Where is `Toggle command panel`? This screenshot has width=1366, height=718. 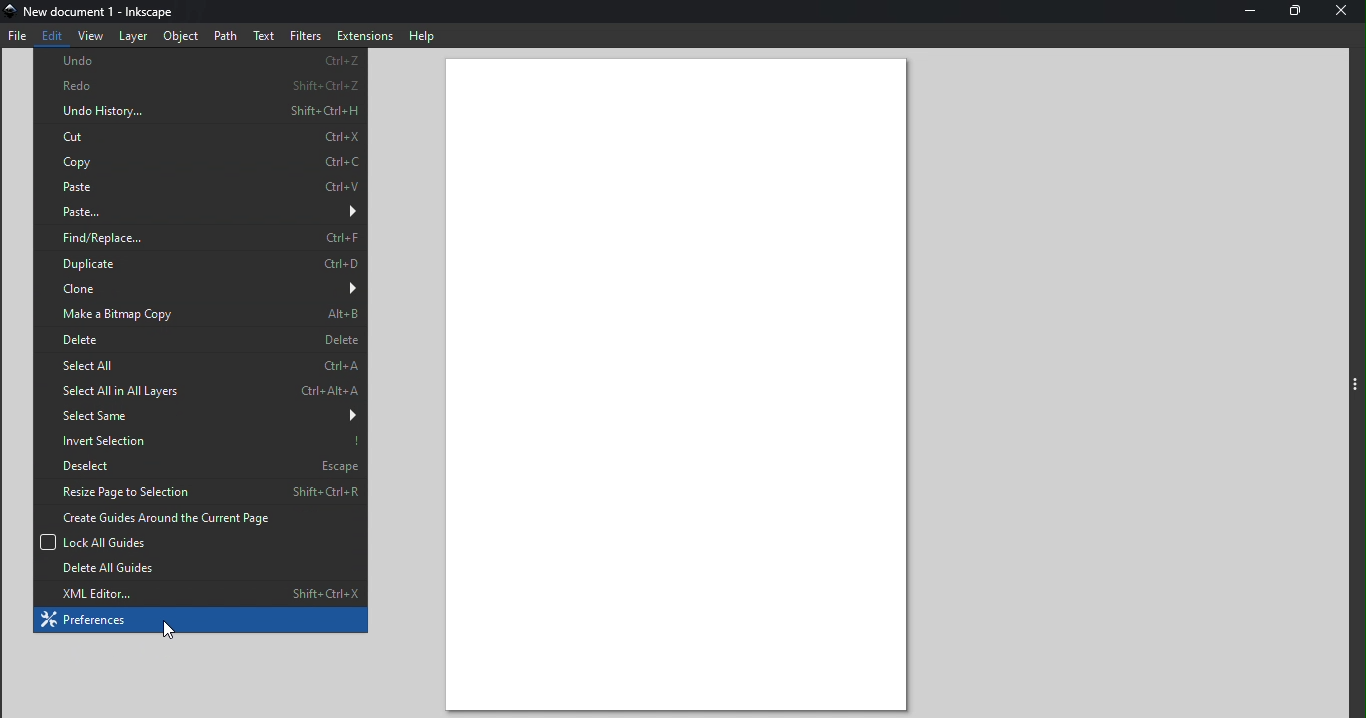
Toggle command panel is located at coordinates (1355, 383).